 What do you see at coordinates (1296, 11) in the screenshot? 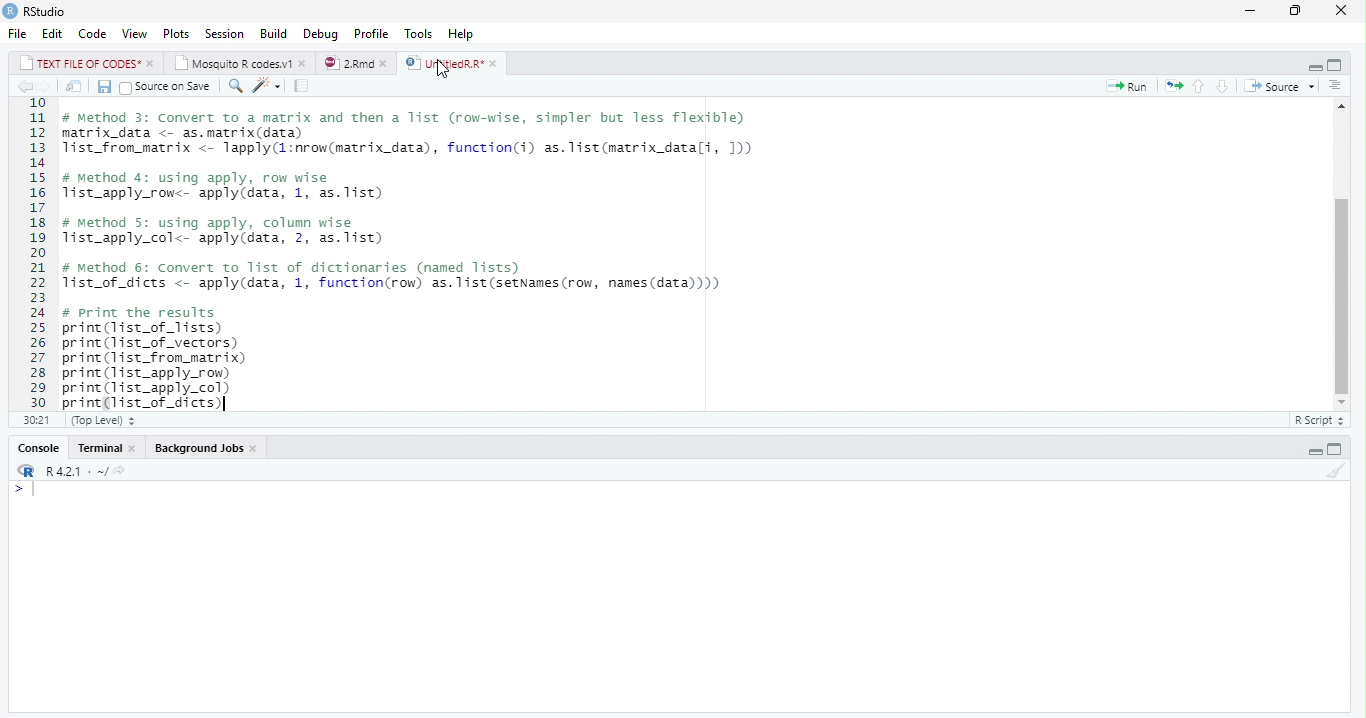
I see `Maximize` at bounding box center [1296, 11].